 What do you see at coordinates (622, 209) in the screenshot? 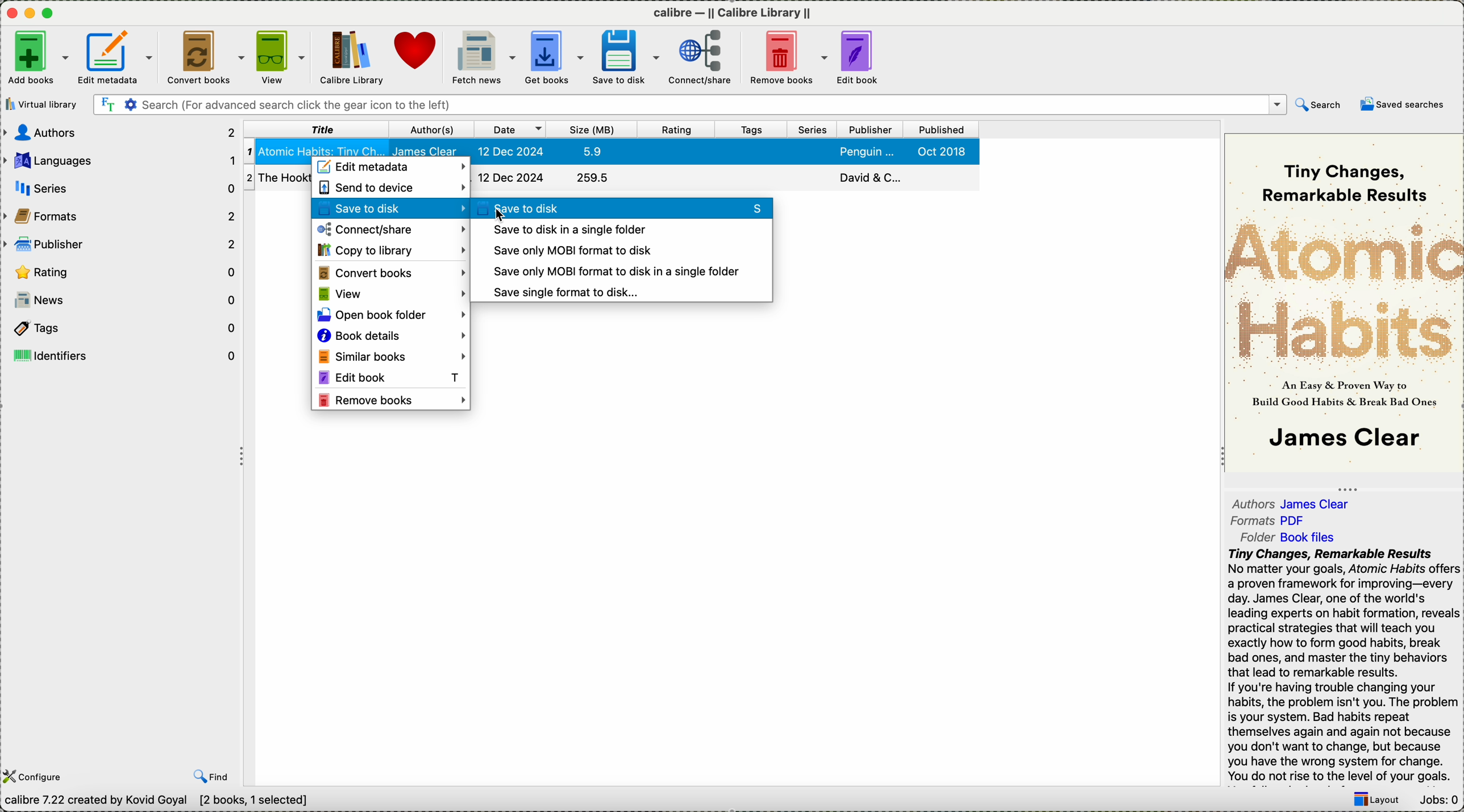
I see `click on save to disk` at bounding box center [622, 209].